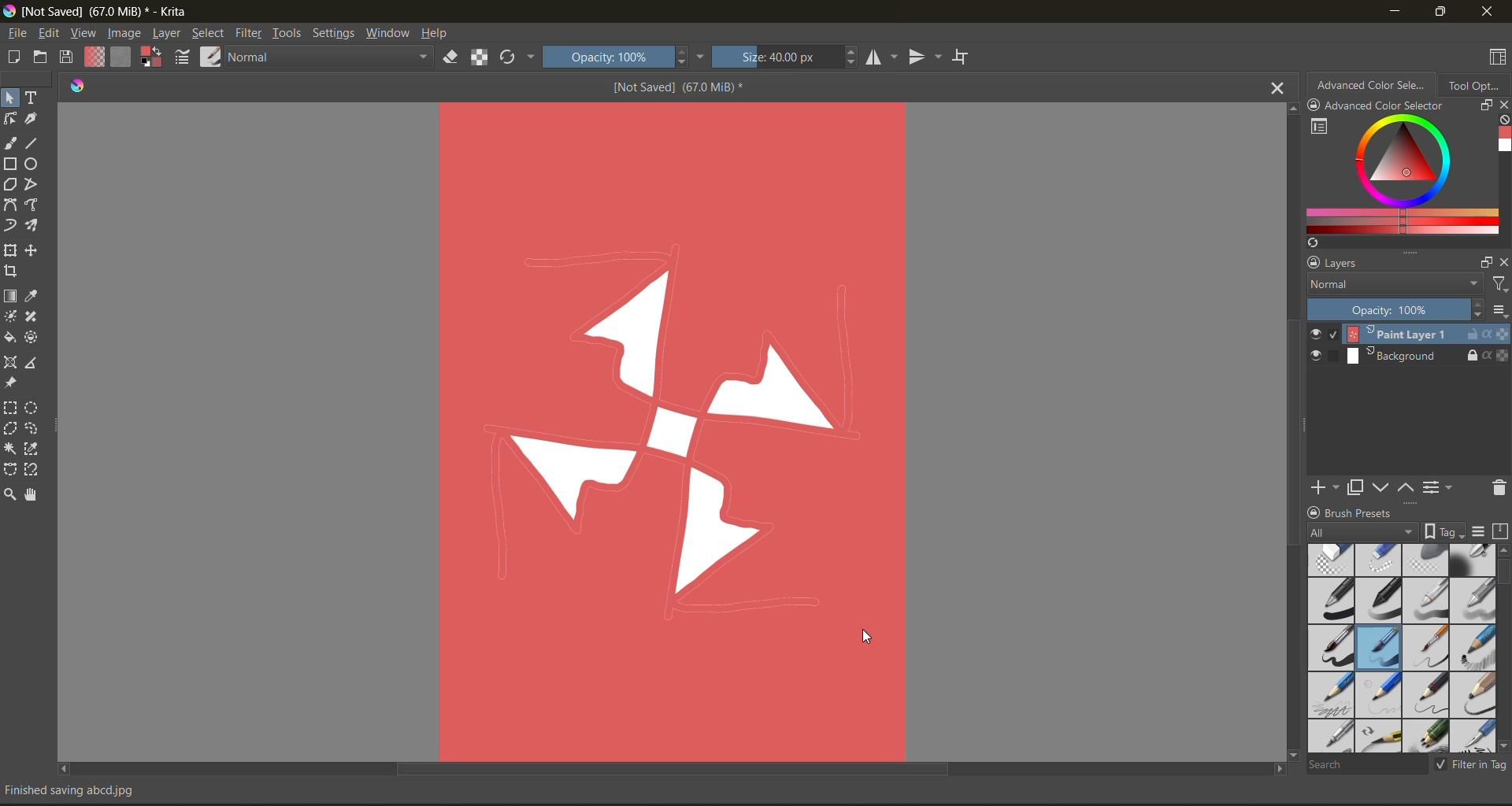 The width and height of the screenshot is (1512, 806). What do you see at coordinates (1440, 10) in the screenshot?
I see `maximize` at bounding box center [1440, 10].